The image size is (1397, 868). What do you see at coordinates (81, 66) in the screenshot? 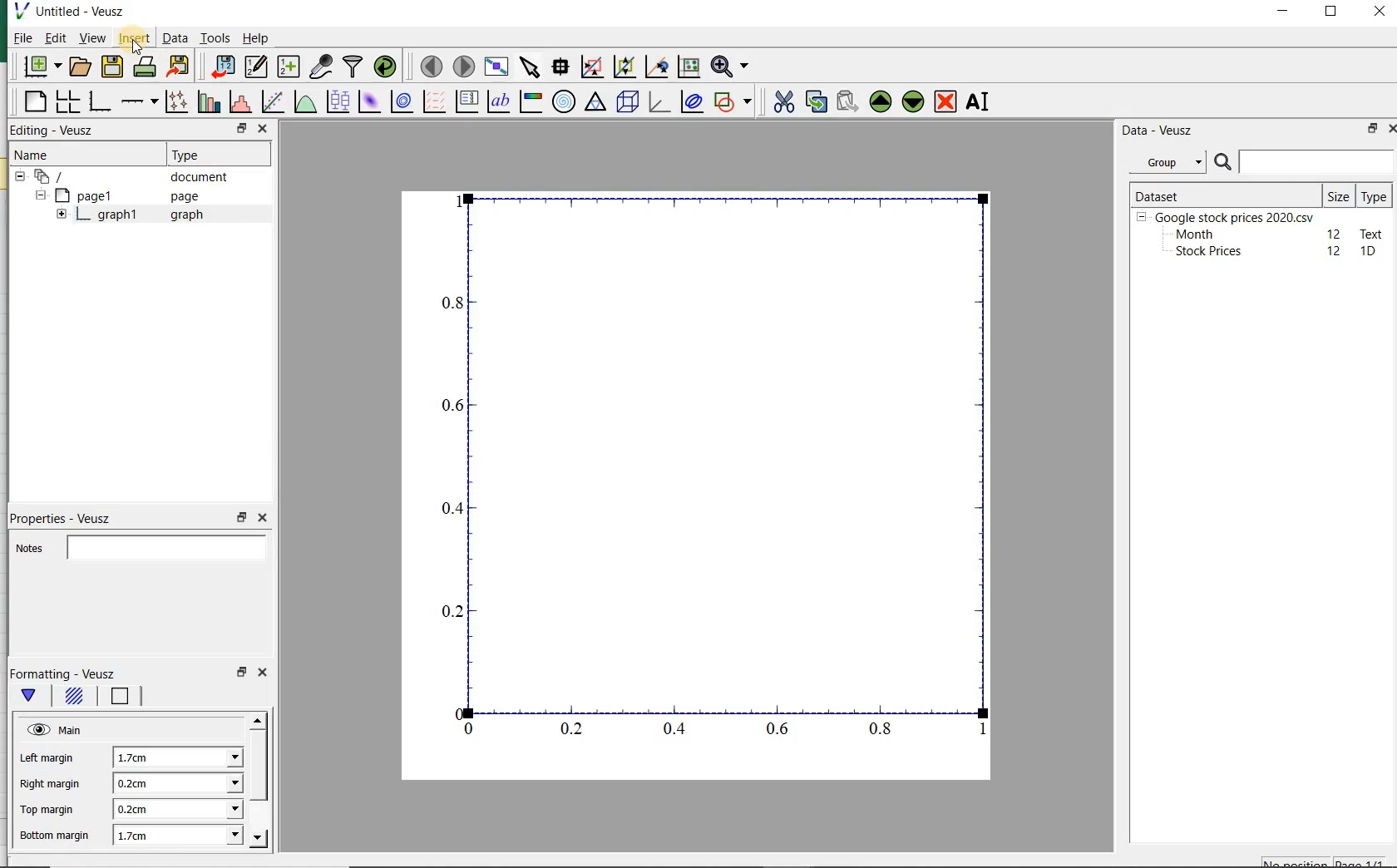
I see `open a document` at bounding box center [81, 66].